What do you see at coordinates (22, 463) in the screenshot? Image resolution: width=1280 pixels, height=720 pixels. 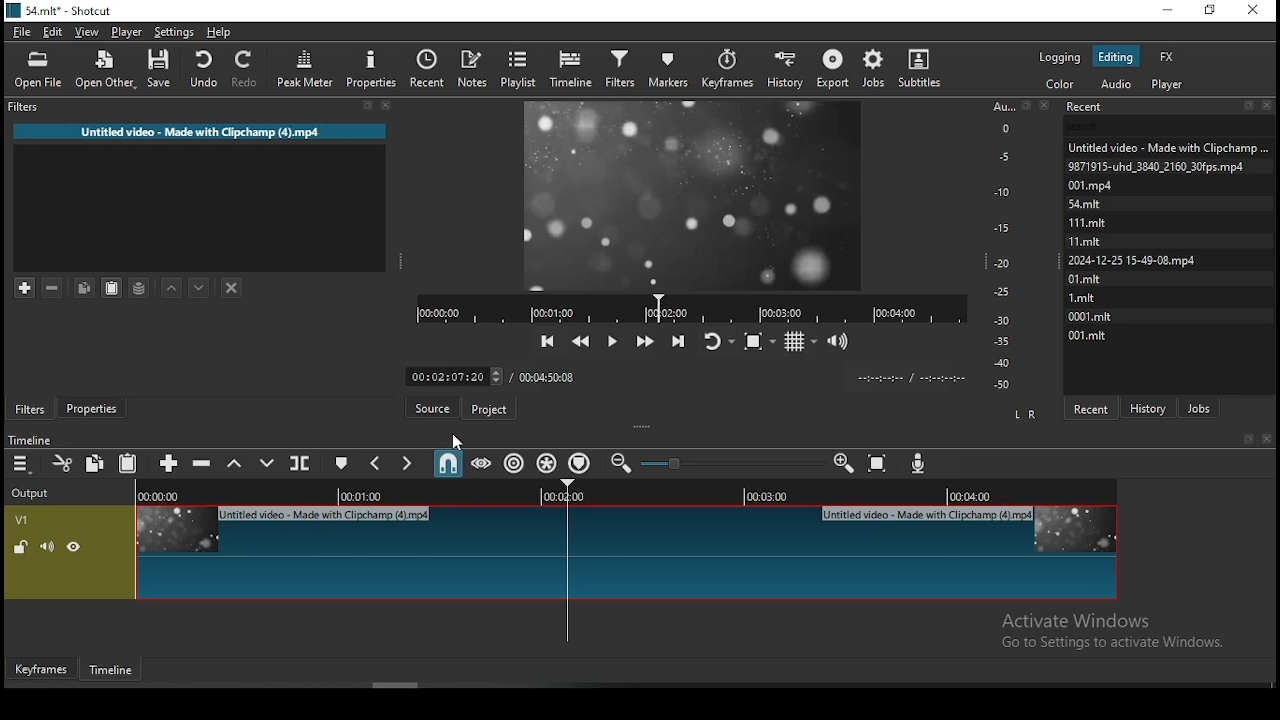 I see `timeline menu` at bounding box center [22, 463].